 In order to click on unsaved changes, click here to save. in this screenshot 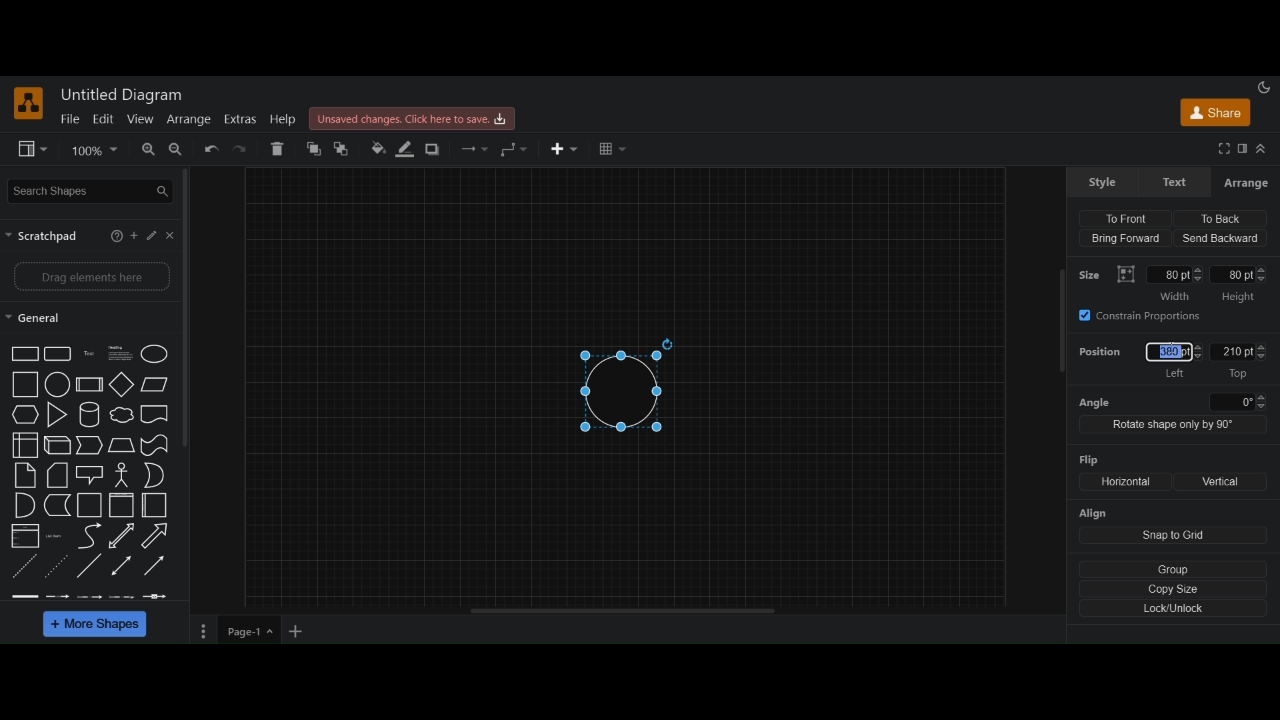, I will do `click(415, 119)`.